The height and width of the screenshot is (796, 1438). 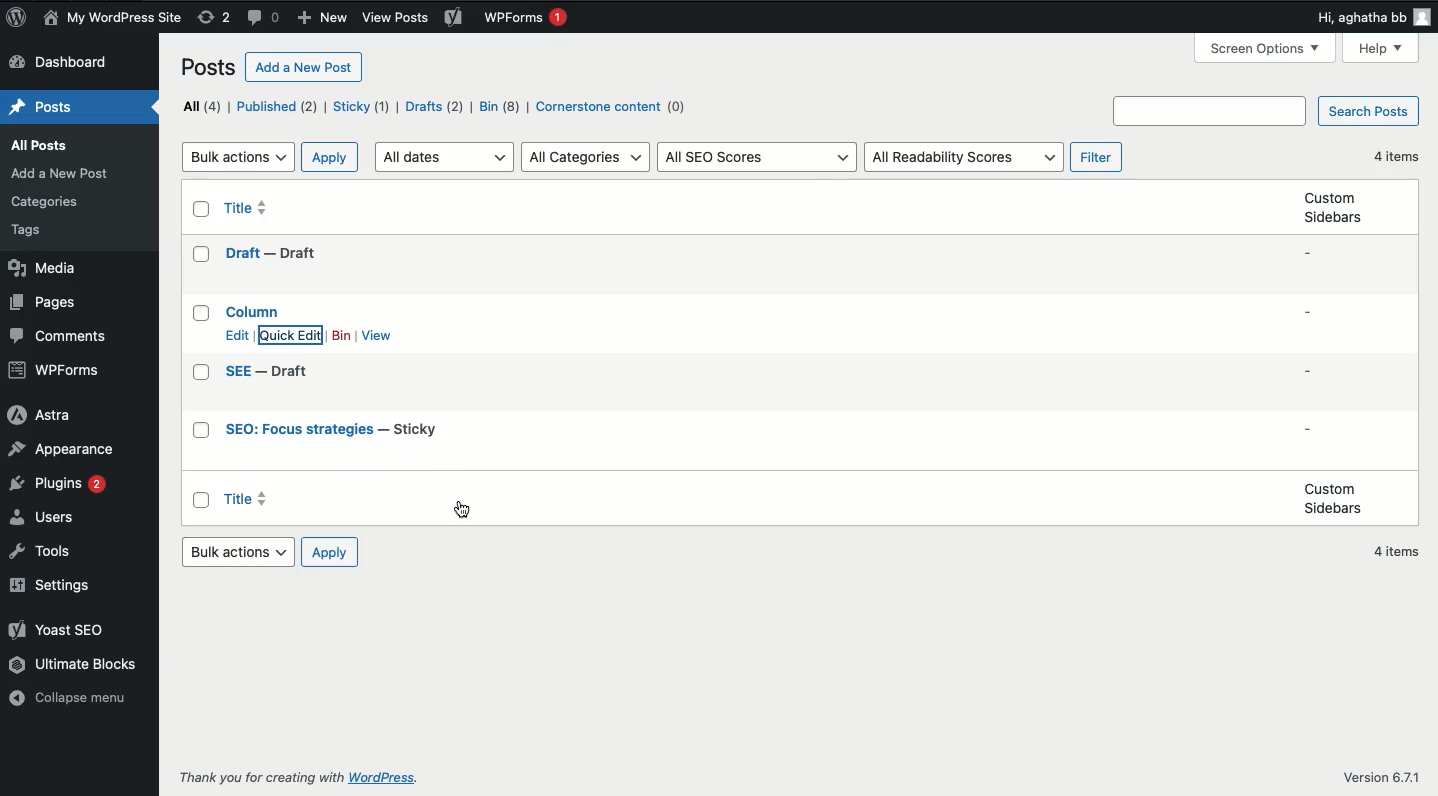 I want to click on Apply, so click(x=332, y=156).